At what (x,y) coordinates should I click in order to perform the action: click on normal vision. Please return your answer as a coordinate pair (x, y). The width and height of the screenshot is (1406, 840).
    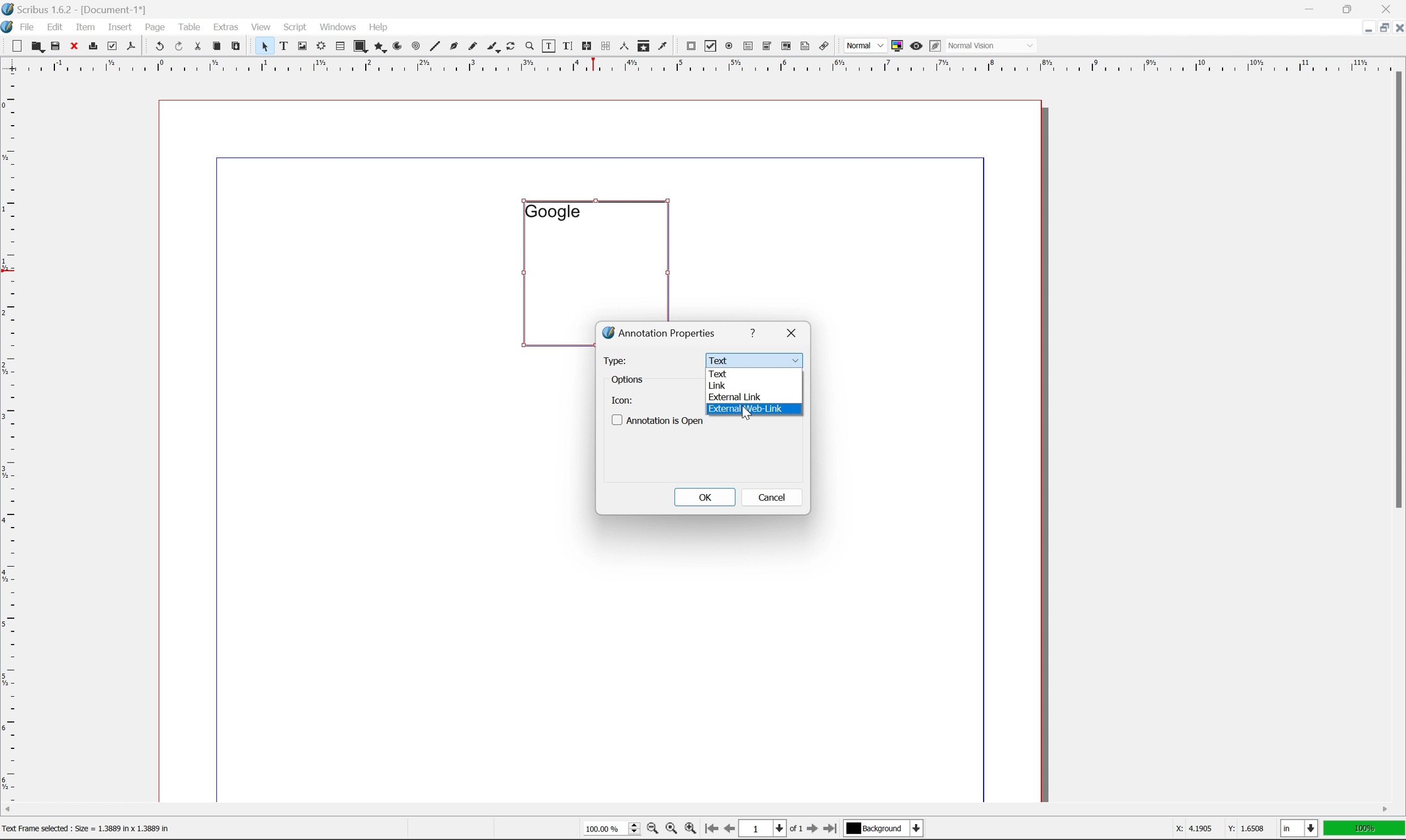
    Looking at the image, I should click on (993, 45).